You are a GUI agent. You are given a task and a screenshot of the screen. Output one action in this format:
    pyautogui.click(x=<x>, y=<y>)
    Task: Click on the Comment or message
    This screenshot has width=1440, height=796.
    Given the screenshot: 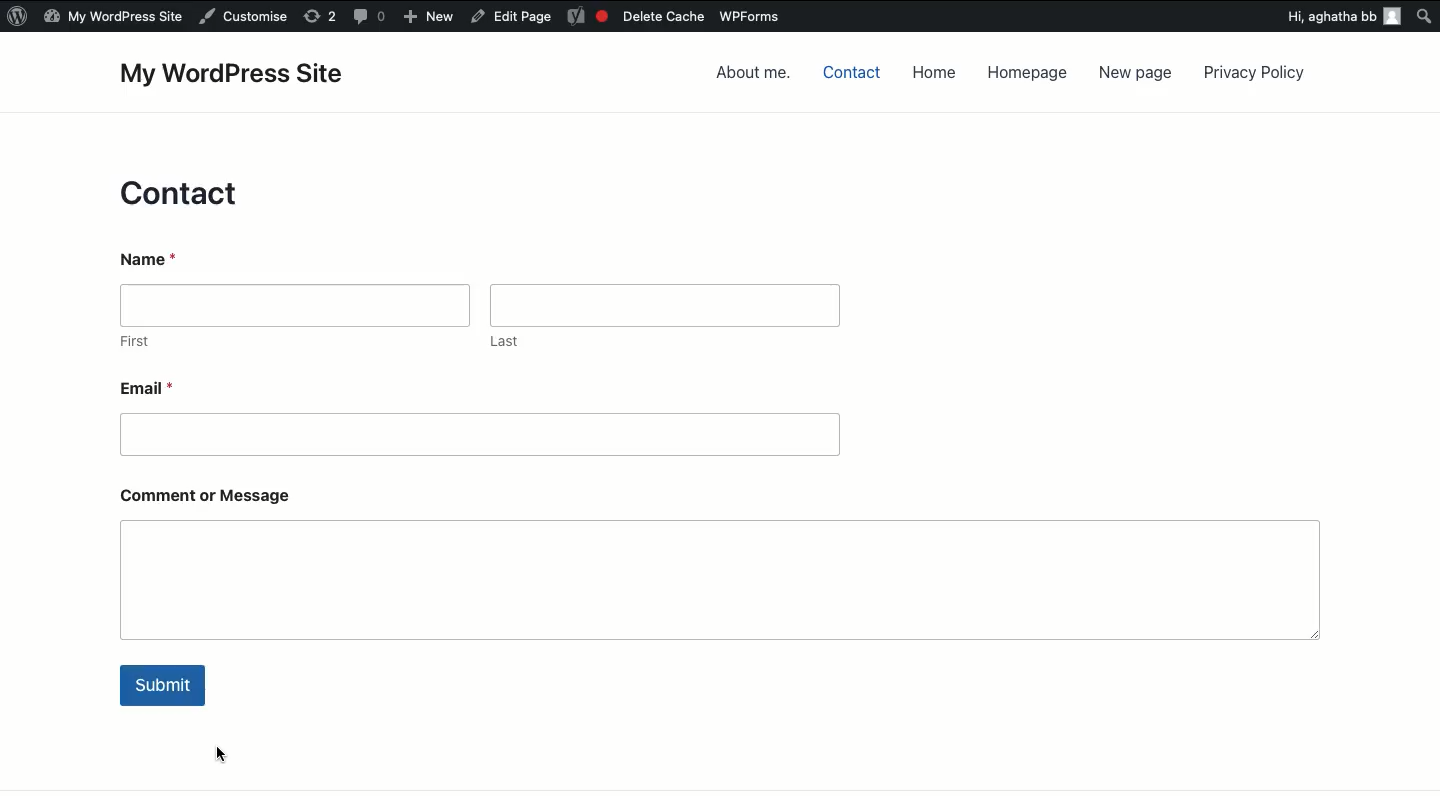 What is the action you would take?
    pyautogui.click(x=719, y=559)
    